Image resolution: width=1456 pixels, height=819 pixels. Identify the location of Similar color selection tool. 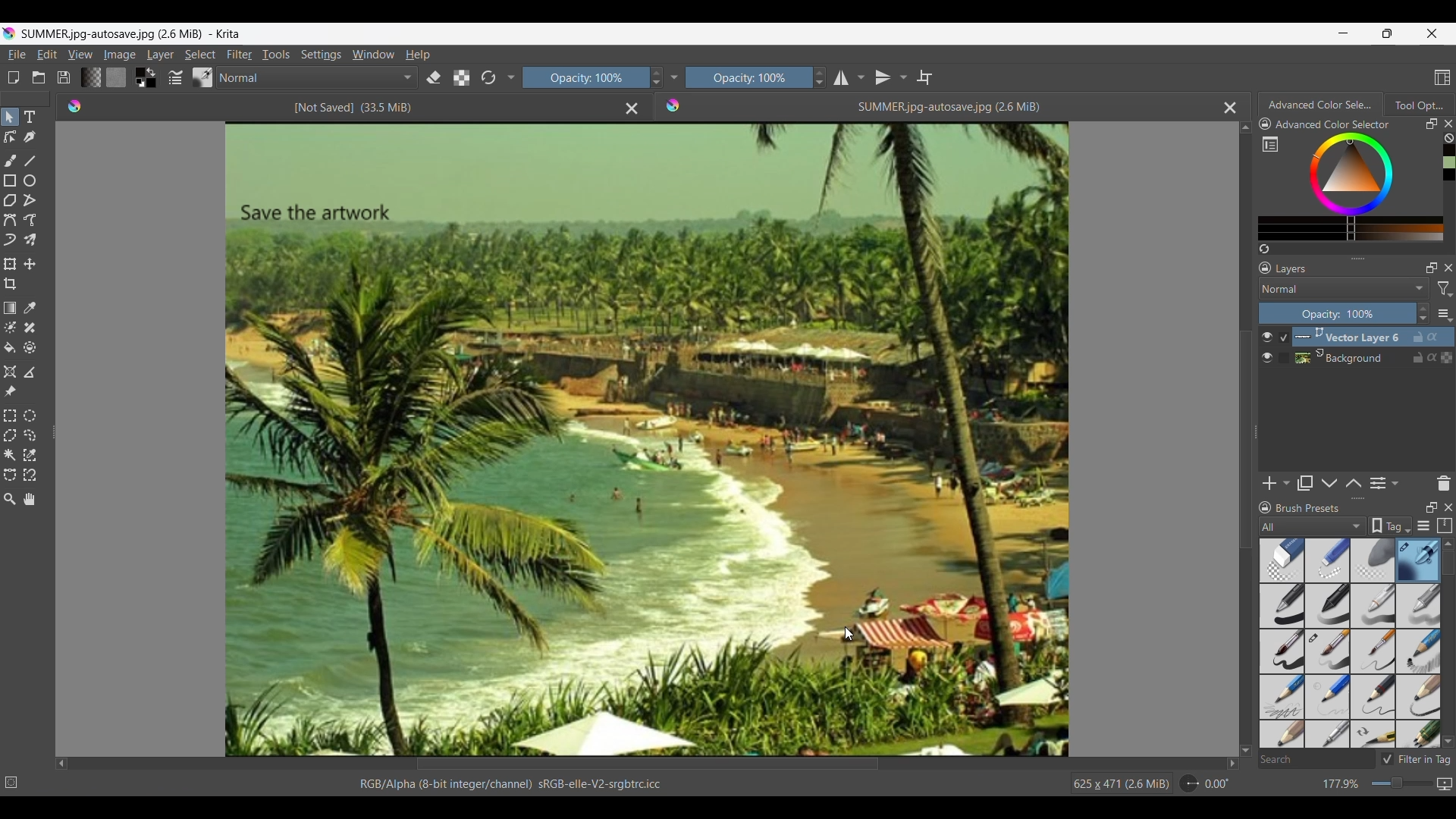
(30, 454).